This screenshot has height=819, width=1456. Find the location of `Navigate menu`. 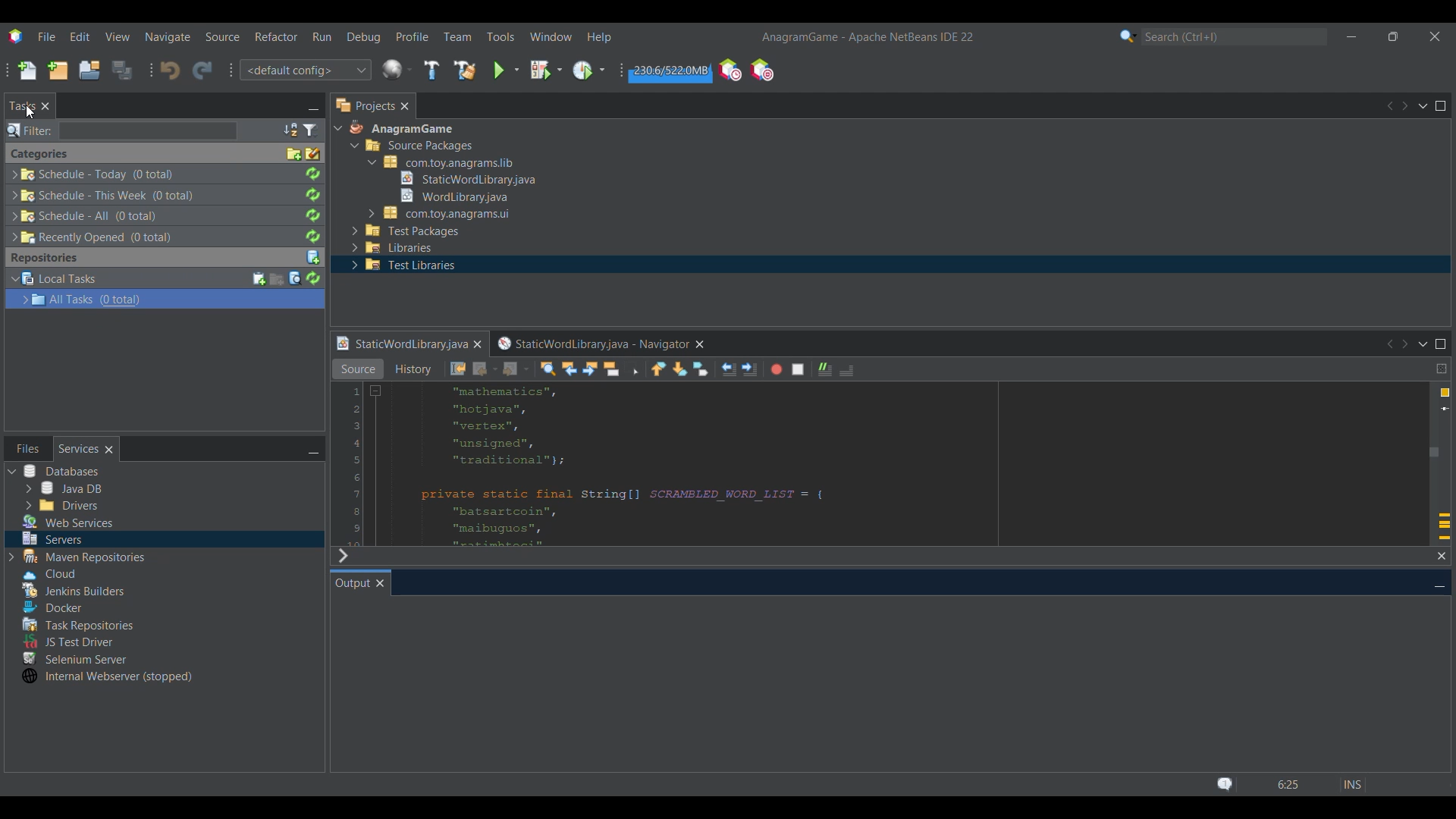

Navigate menu is located at coordinates (168, 37).